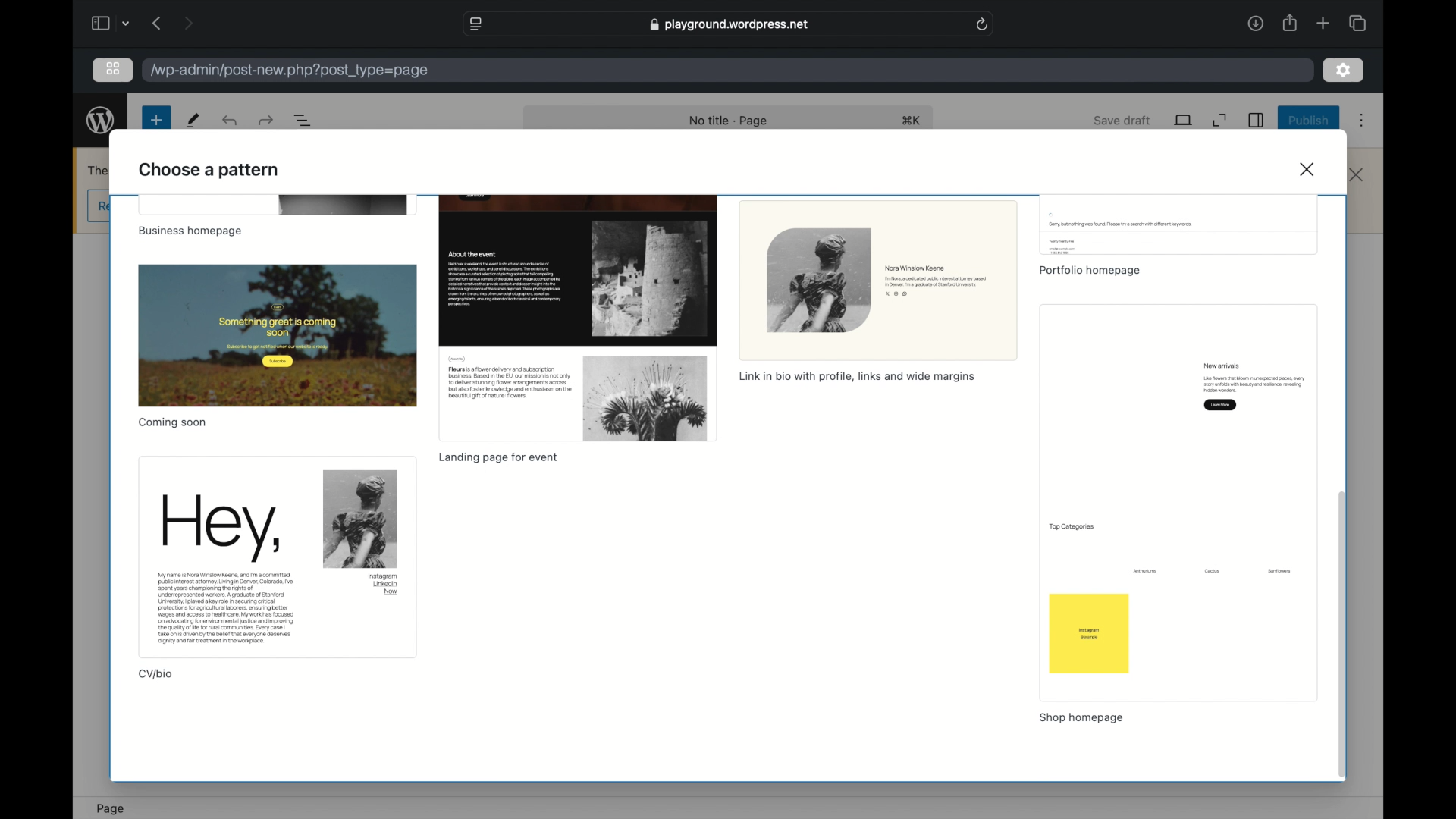 The width and height of the screenshot is (1456, 819). Describe the element at coordinates (158, 24) in the screenshot. I see `previous page` at that location.